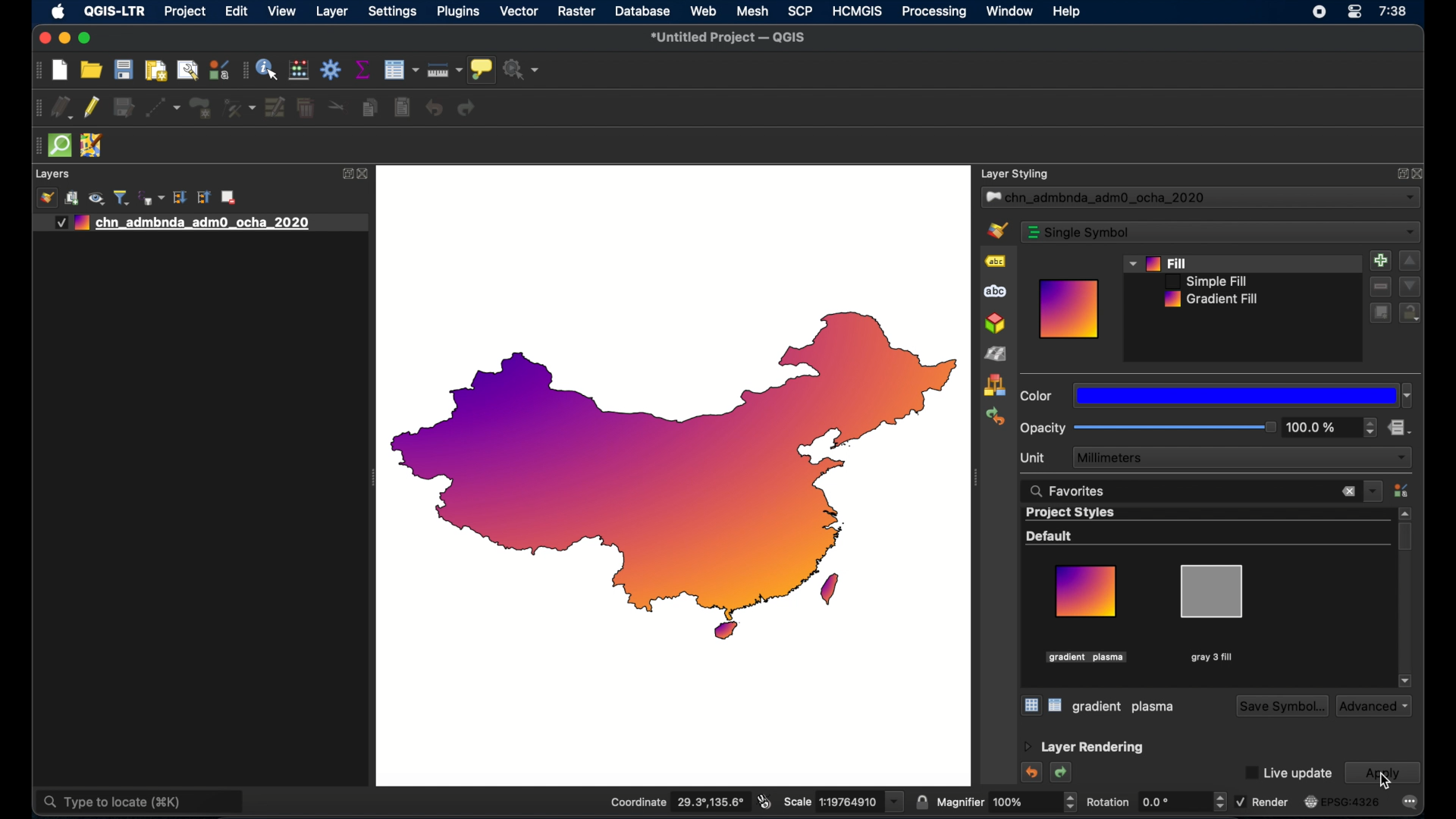 The height and width of the screenshot is (819, 1456). What do you see at coordinates (219, 69) in the screenshot?
I see `style manager` at bounding box center [219, 69].